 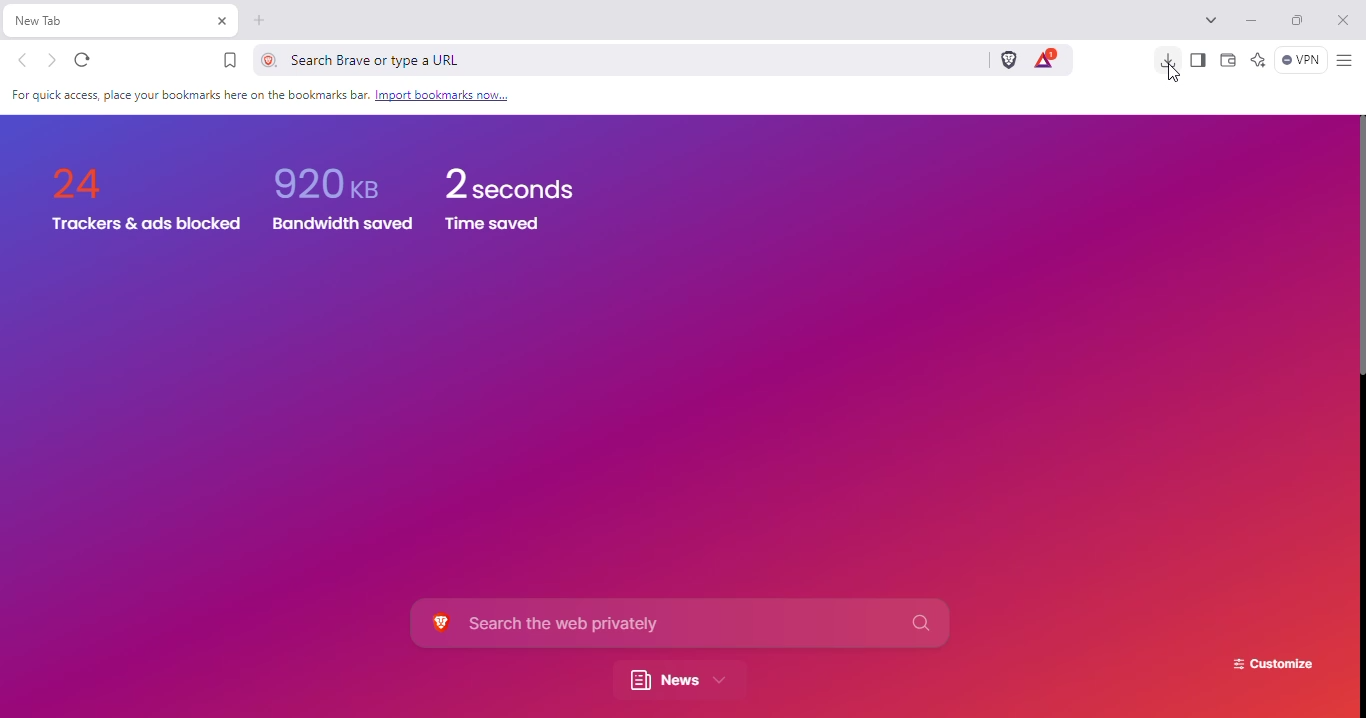 I want to click on close, so click(x=1343, y=20).